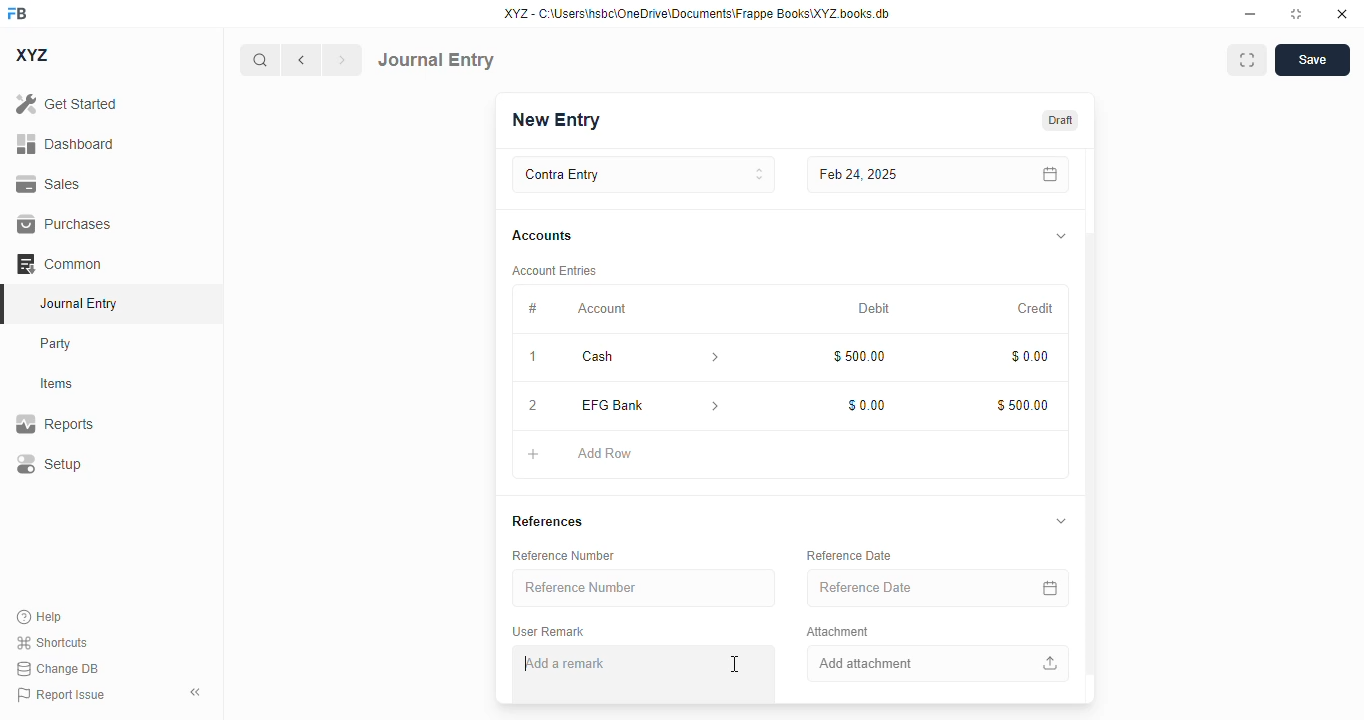 The height and width of the screenshot is (720, 1364). I want to click on add button, so click(533, 455).